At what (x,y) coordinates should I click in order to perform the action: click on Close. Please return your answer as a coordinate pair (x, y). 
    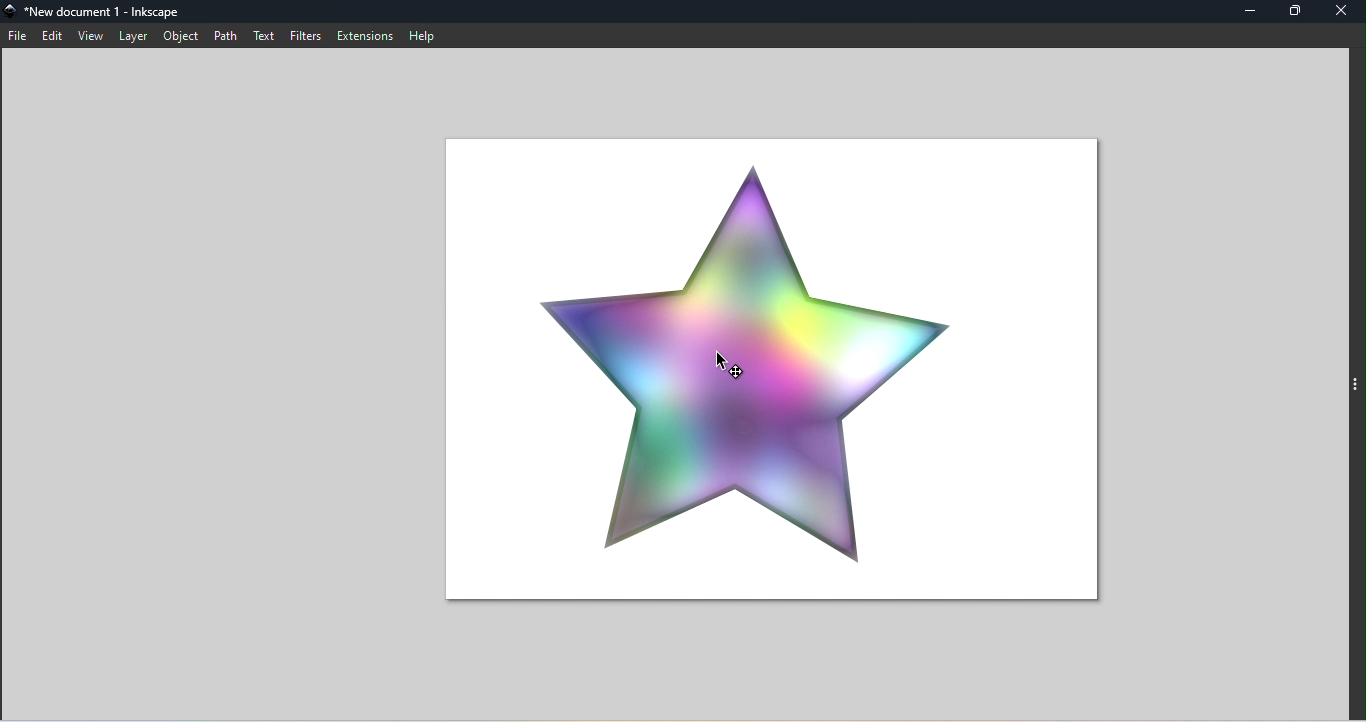
    Looking at the image, I should click on (1342, 12).